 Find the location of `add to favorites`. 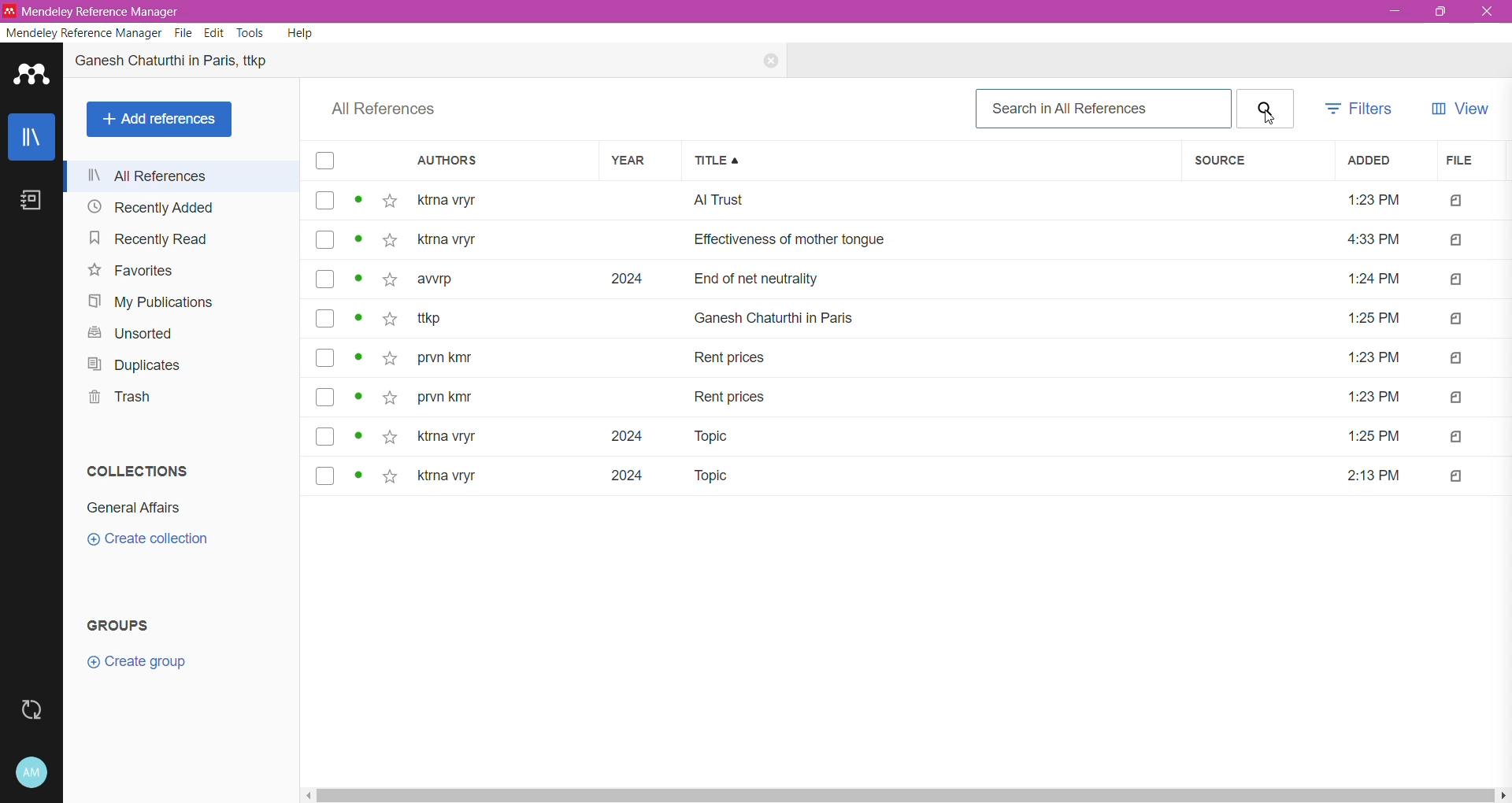

add to favorites is located at coordinates (391, 279).